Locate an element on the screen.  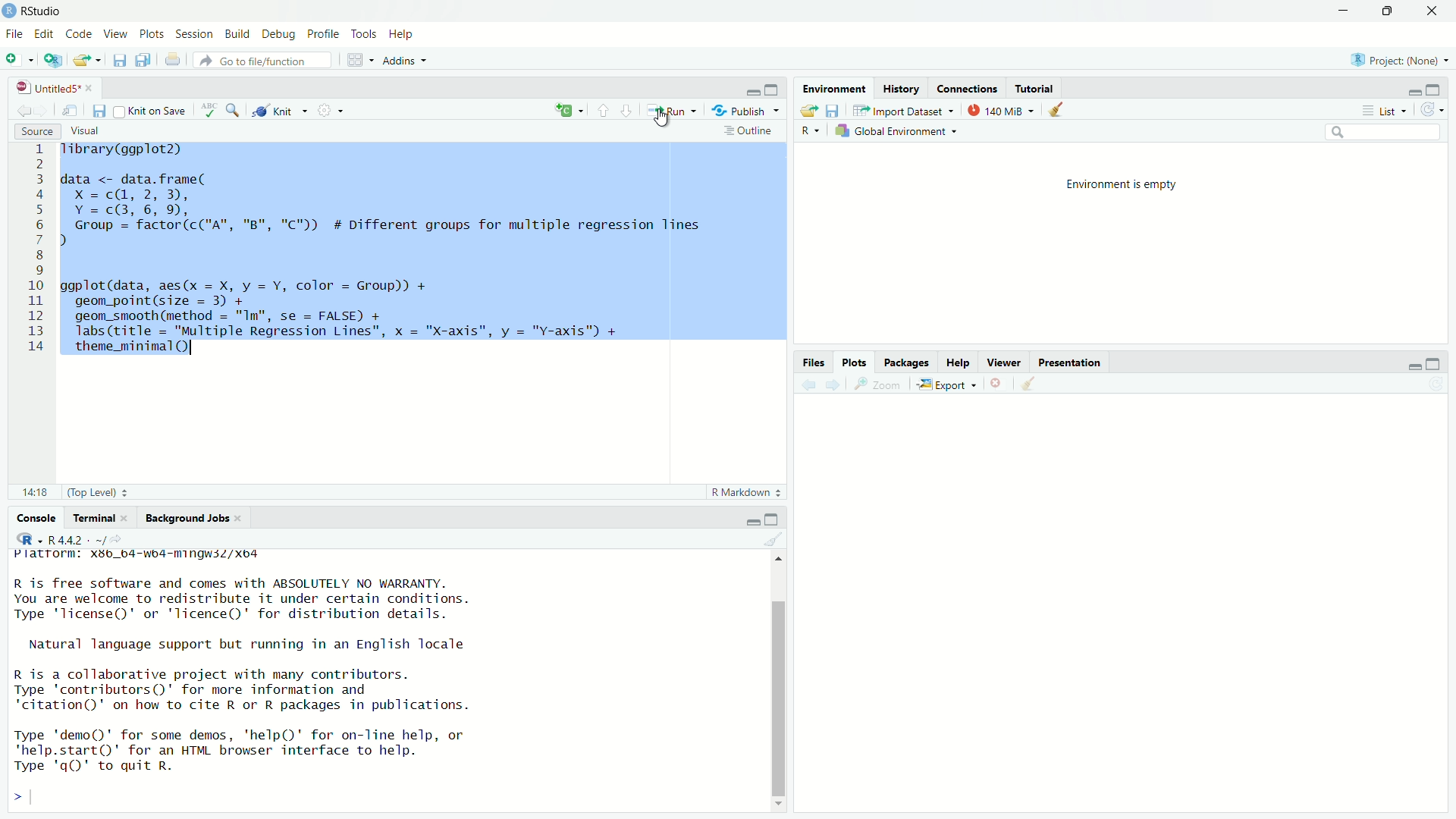
+ R4.4.2 is located at coordinates (65, 539).